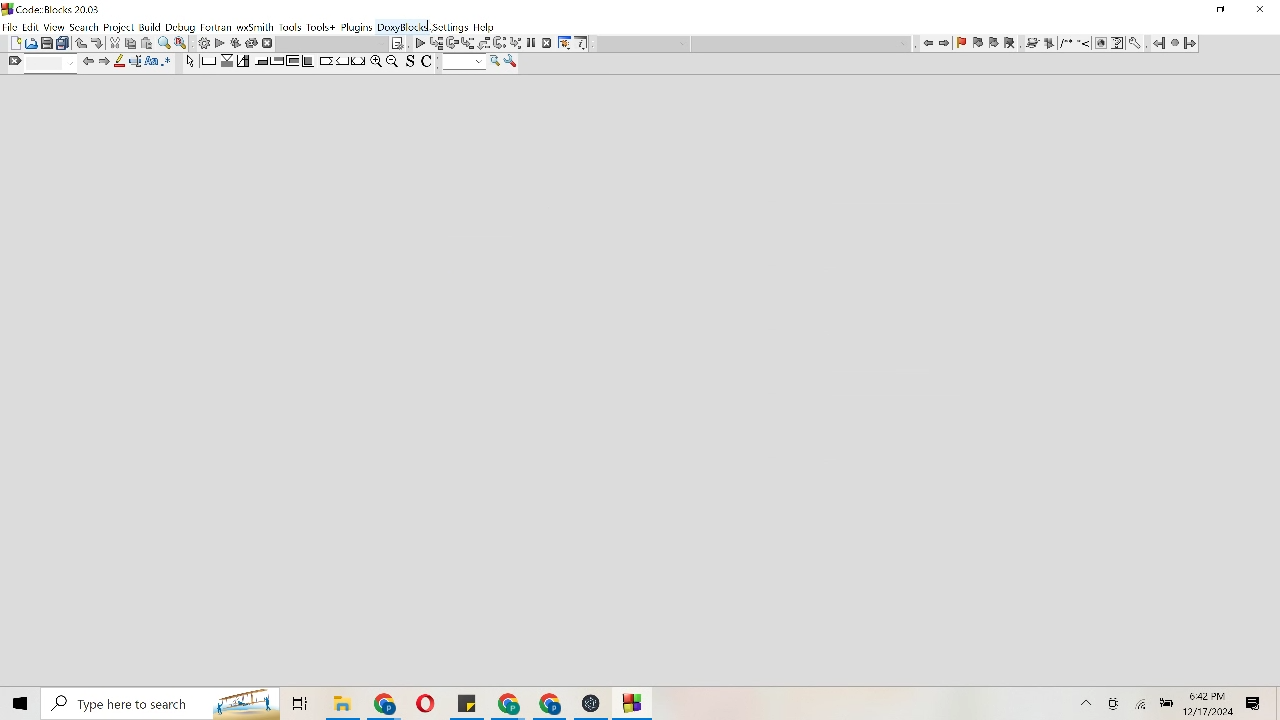 This screenshot has height=720, width=1280. Describe the element at coordinates (423, 63) in the screenshot. I see `Save and copy` at that location.